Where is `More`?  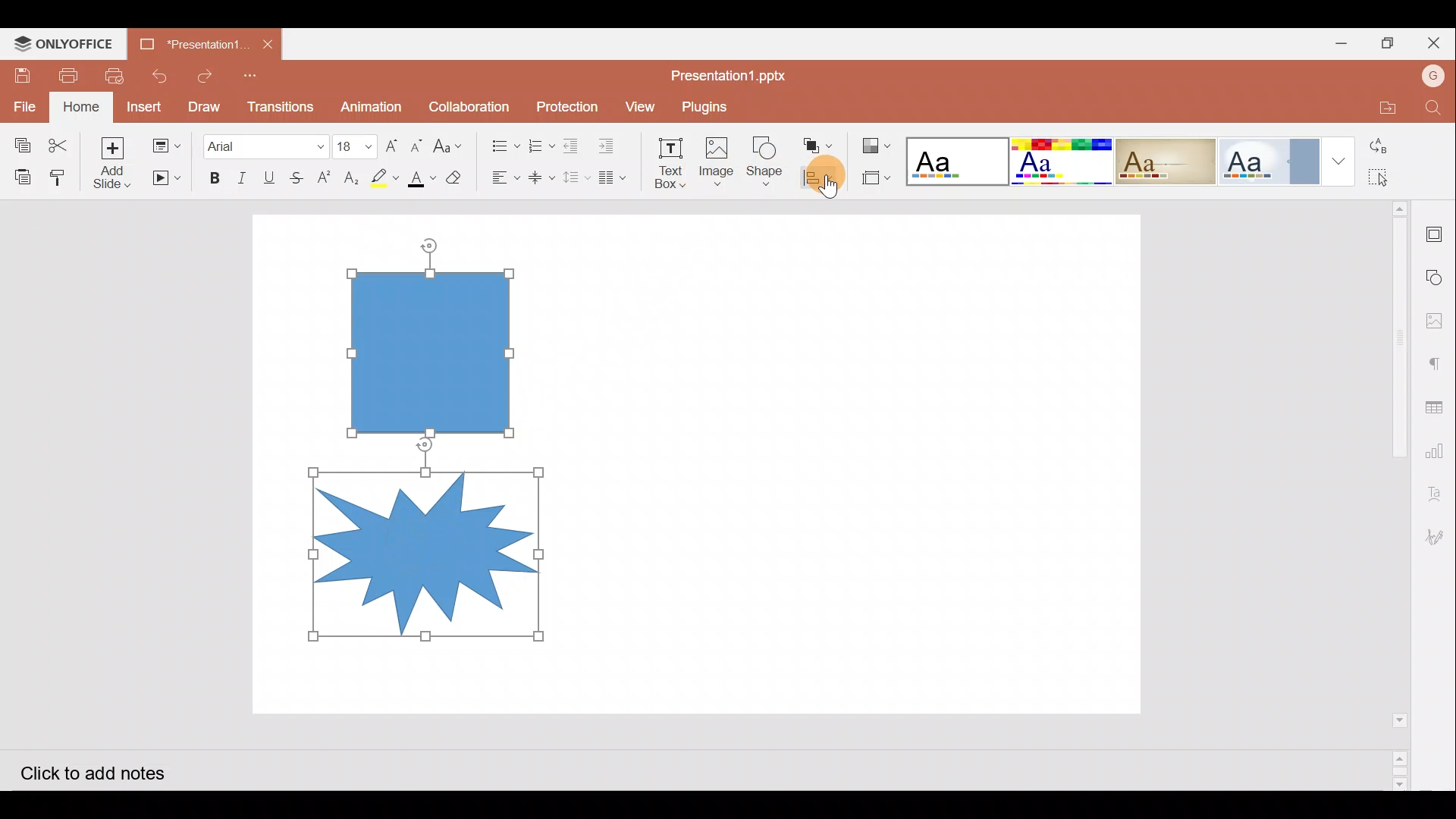 More is located at coordinates (1342, 162).